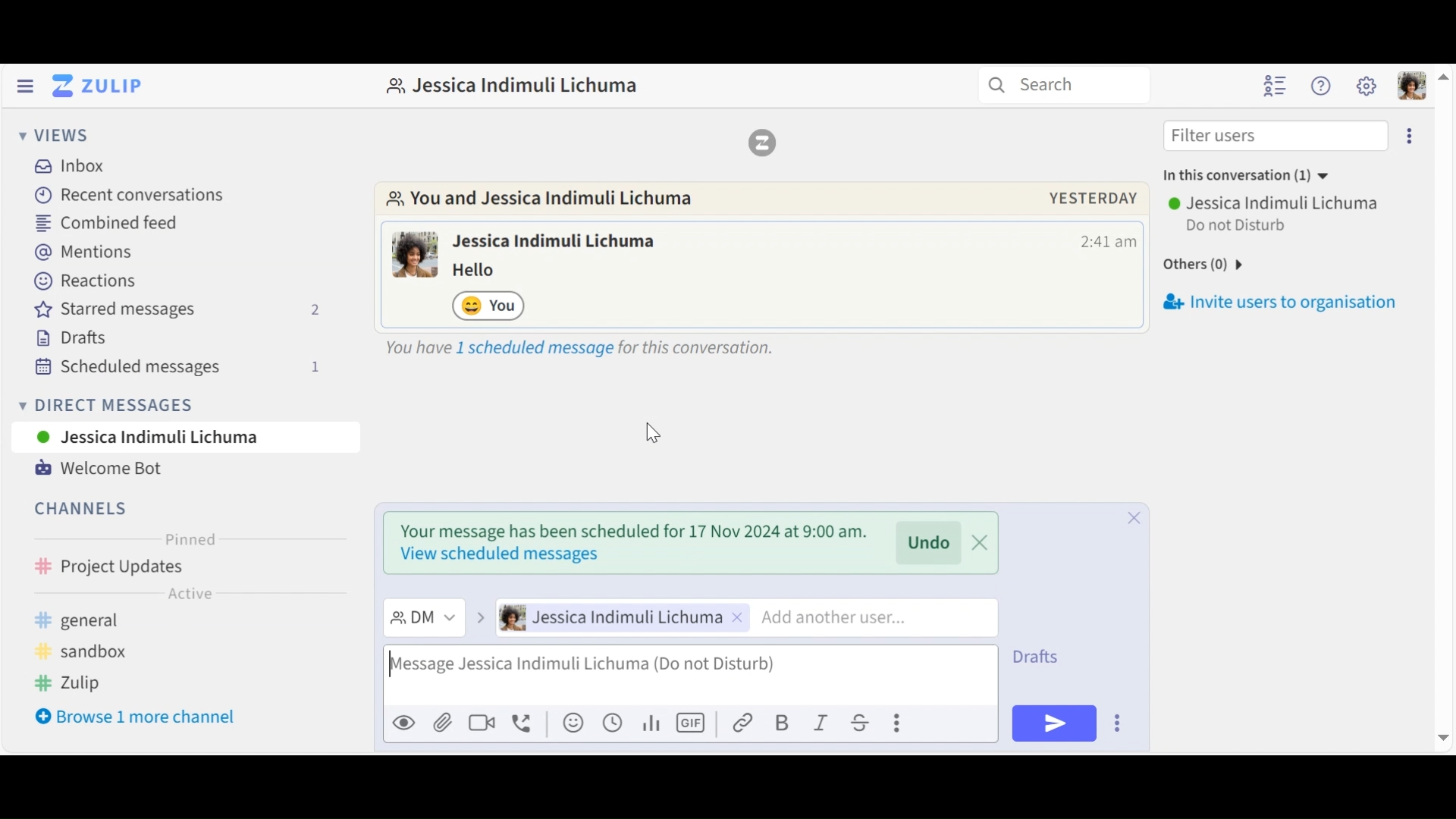 The width and height of the screenshot is (1456, 819). I want to click on Scheduled message, so click(630, 537).